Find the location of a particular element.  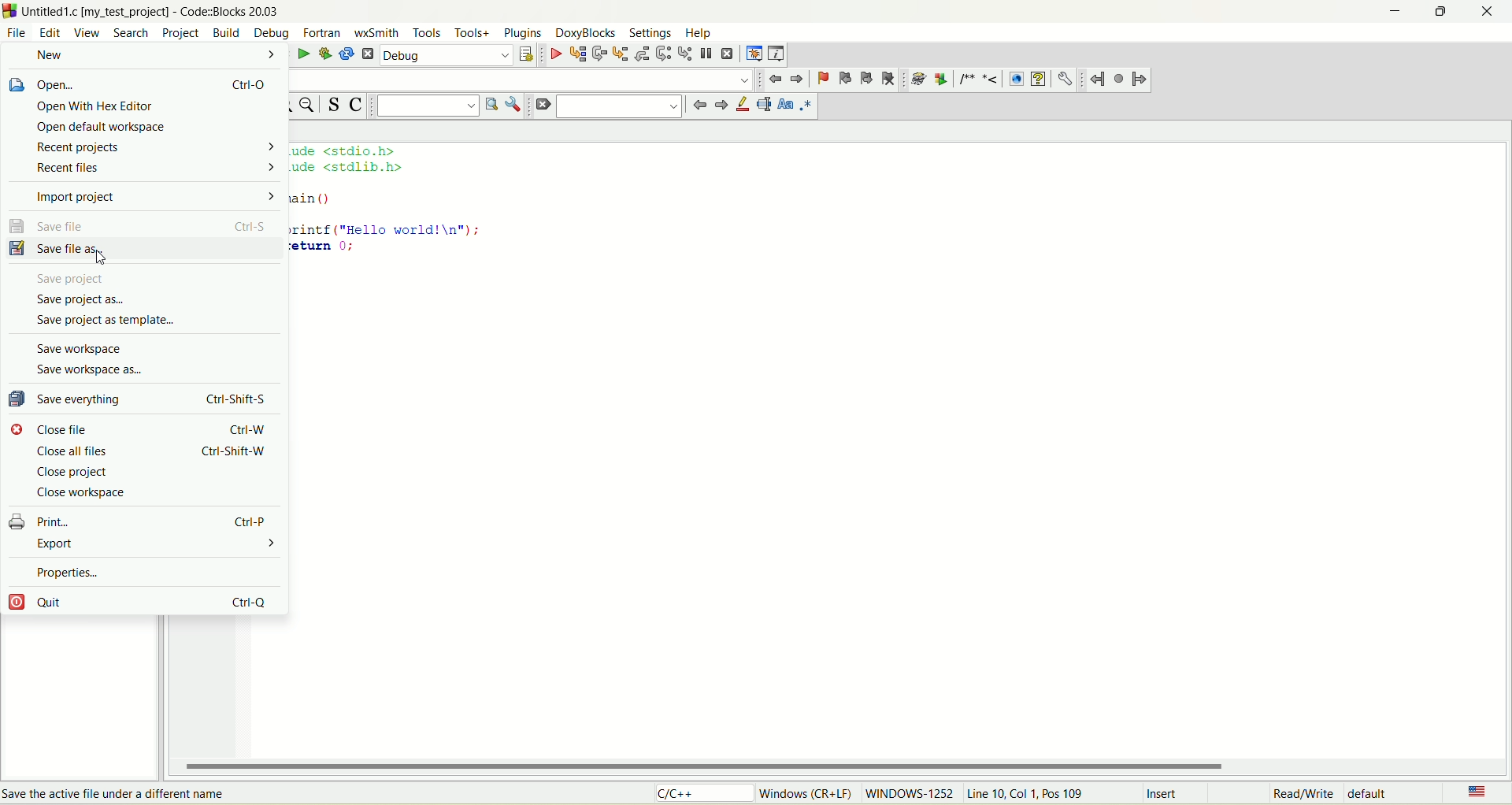

fortan is located at coordinates (324, 33).